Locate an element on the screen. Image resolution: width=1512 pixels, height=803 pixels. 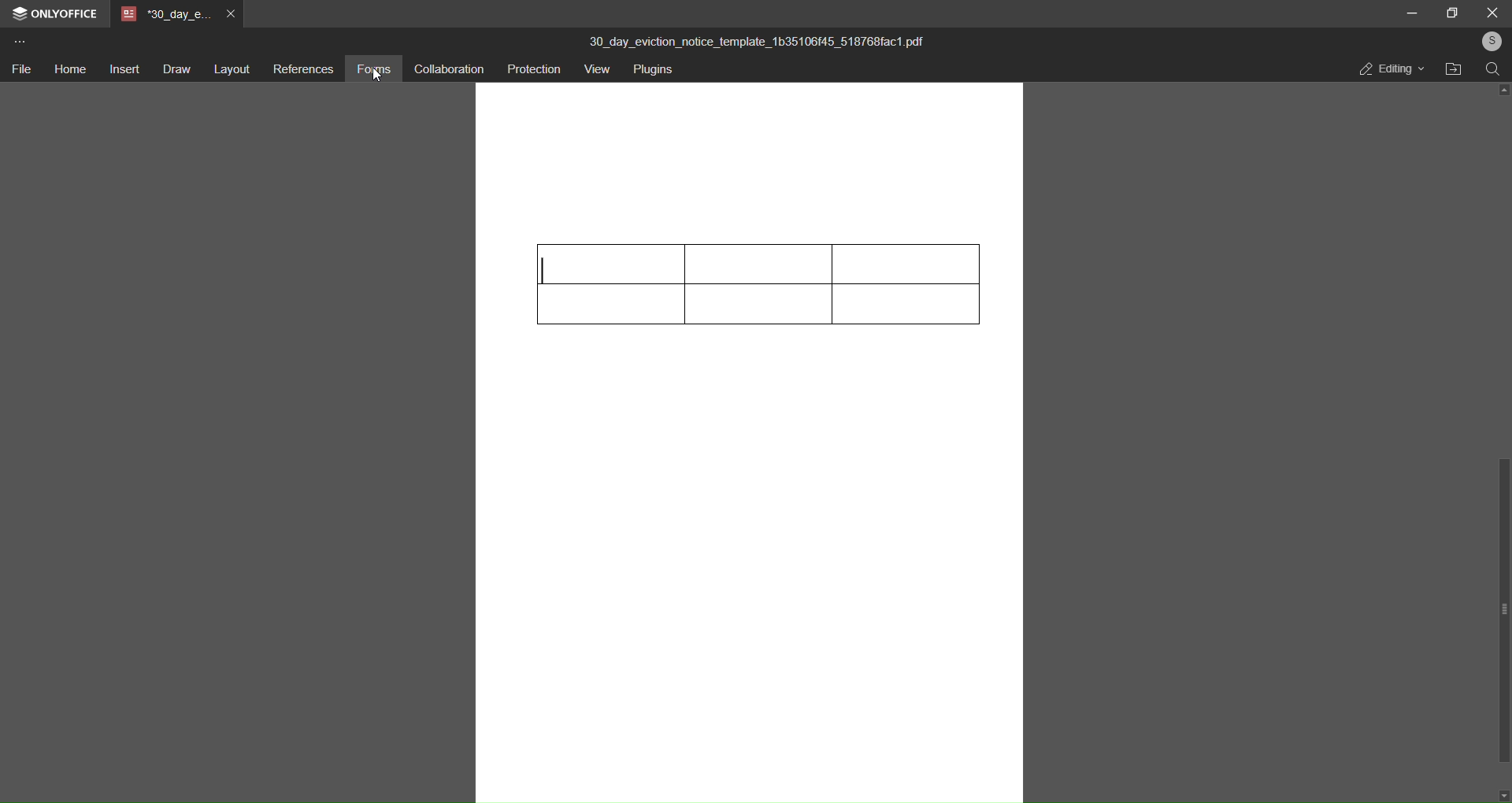
open file location is located at coordinates (1451, 70).